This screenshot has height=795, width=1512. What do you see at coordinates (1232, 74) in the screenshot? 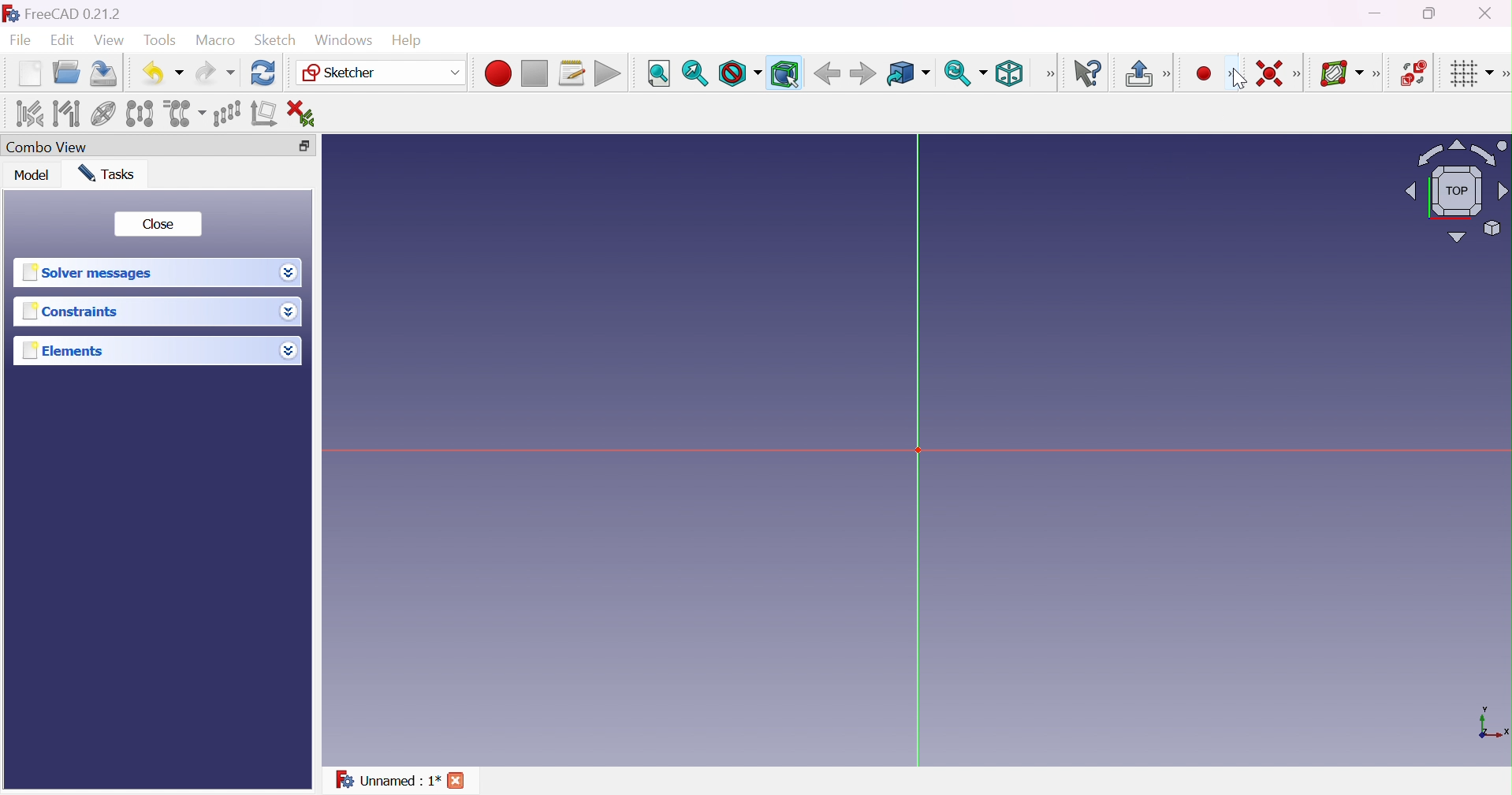
I see `[Sketcher geometrics]` at bounding box center [1232, 74].